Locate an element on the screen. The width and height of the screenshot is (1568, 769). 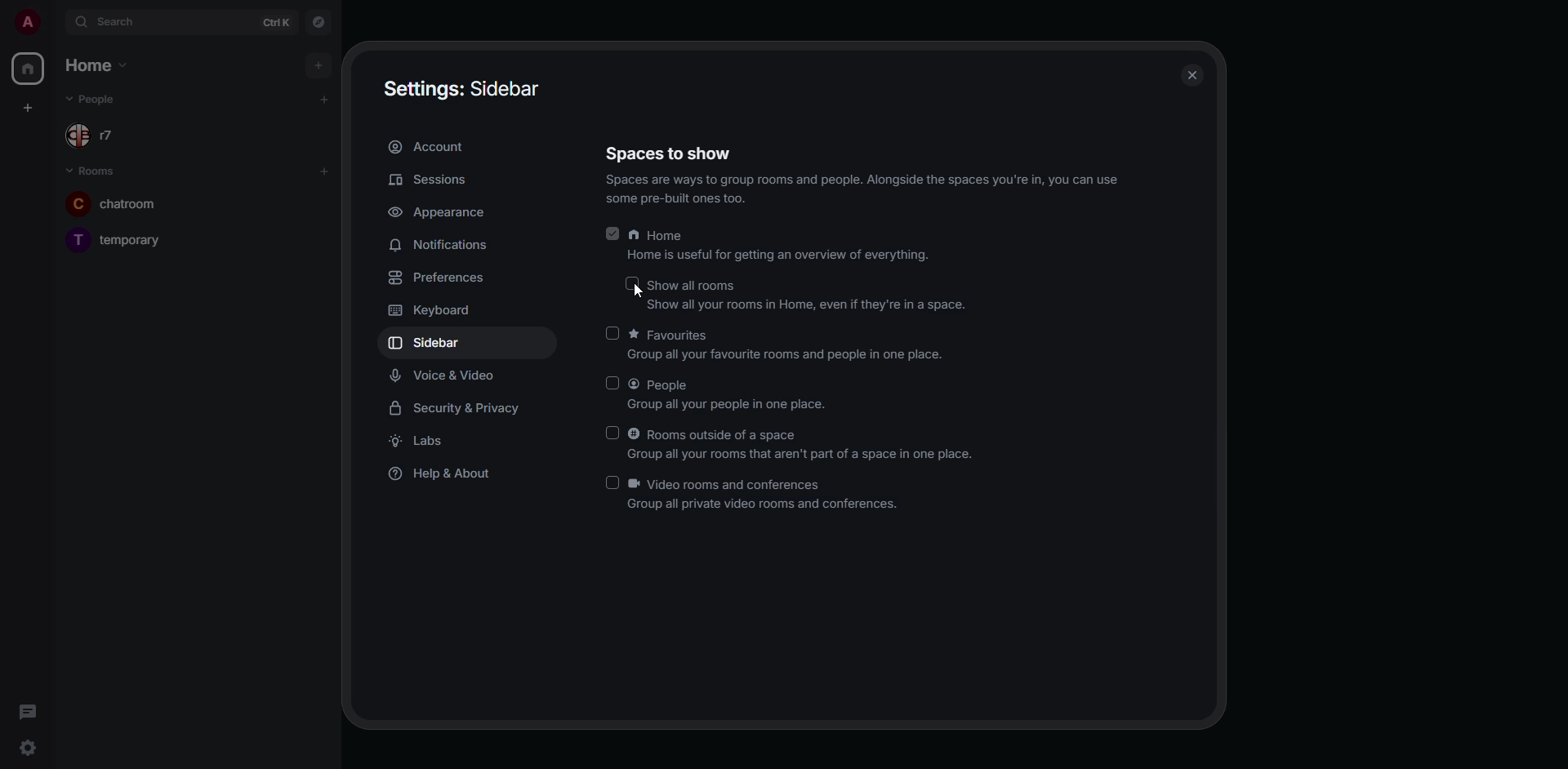
expand is located at coordinates (54, 24).